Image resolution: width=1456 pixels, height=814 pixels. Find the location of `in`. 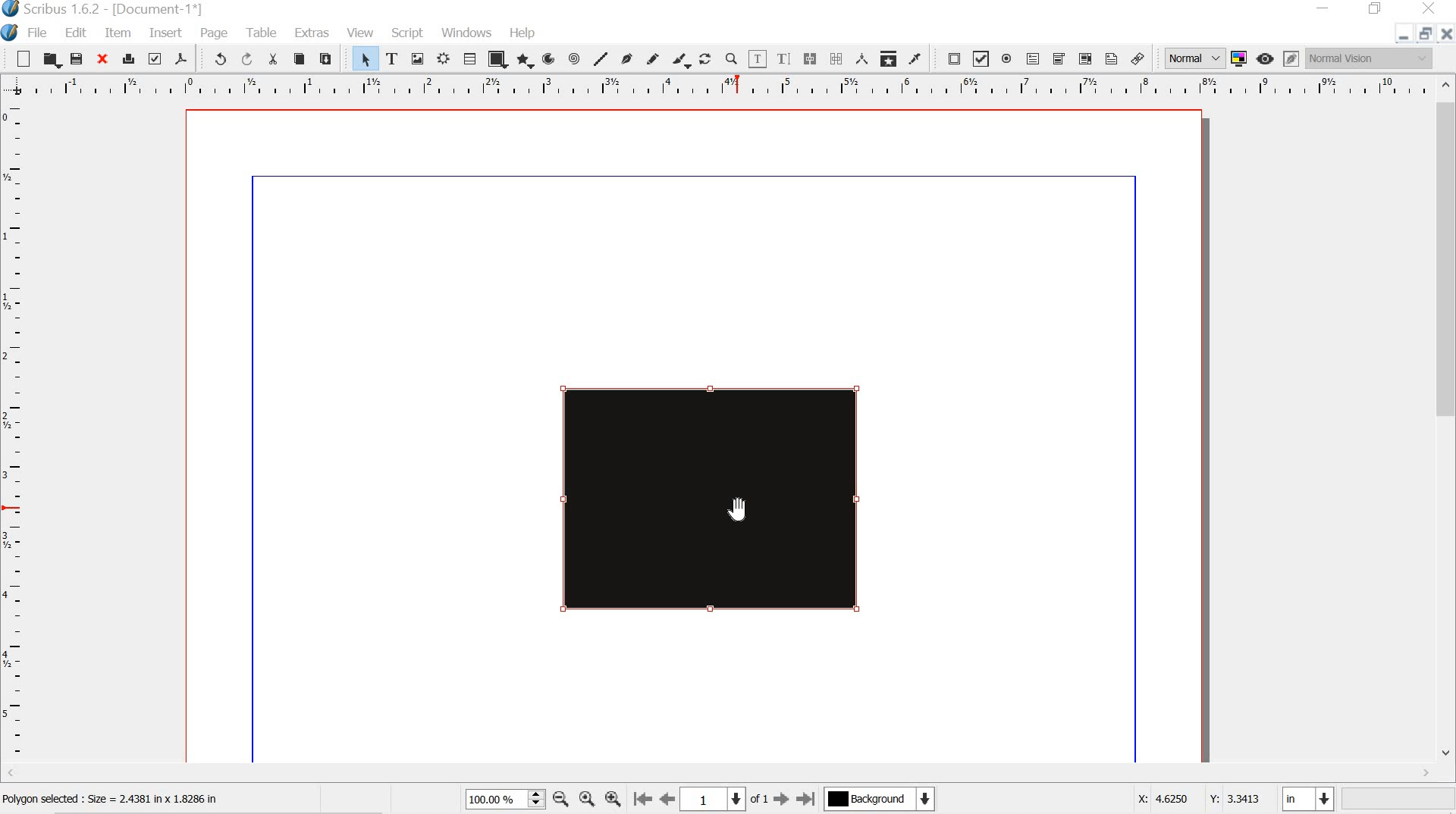

in is located at coordinates (1307, 800).